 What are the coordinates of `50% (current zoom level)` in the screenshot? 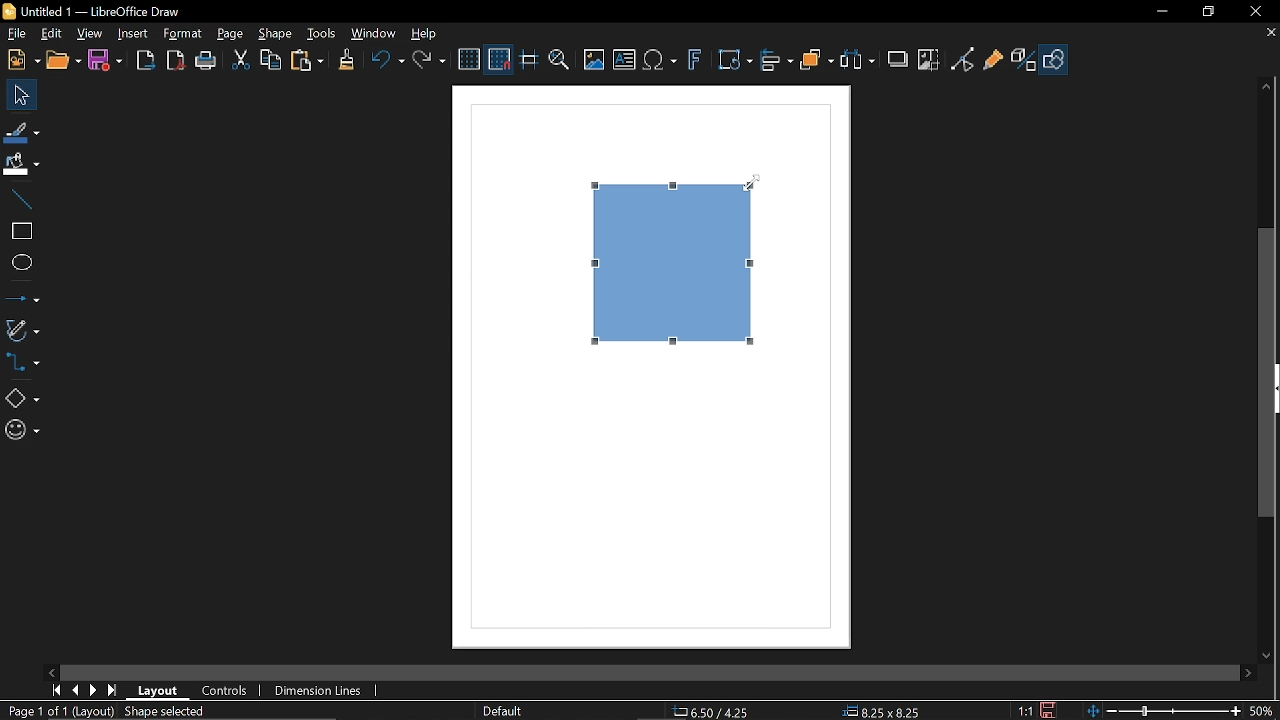 It's located at (1265, 709).